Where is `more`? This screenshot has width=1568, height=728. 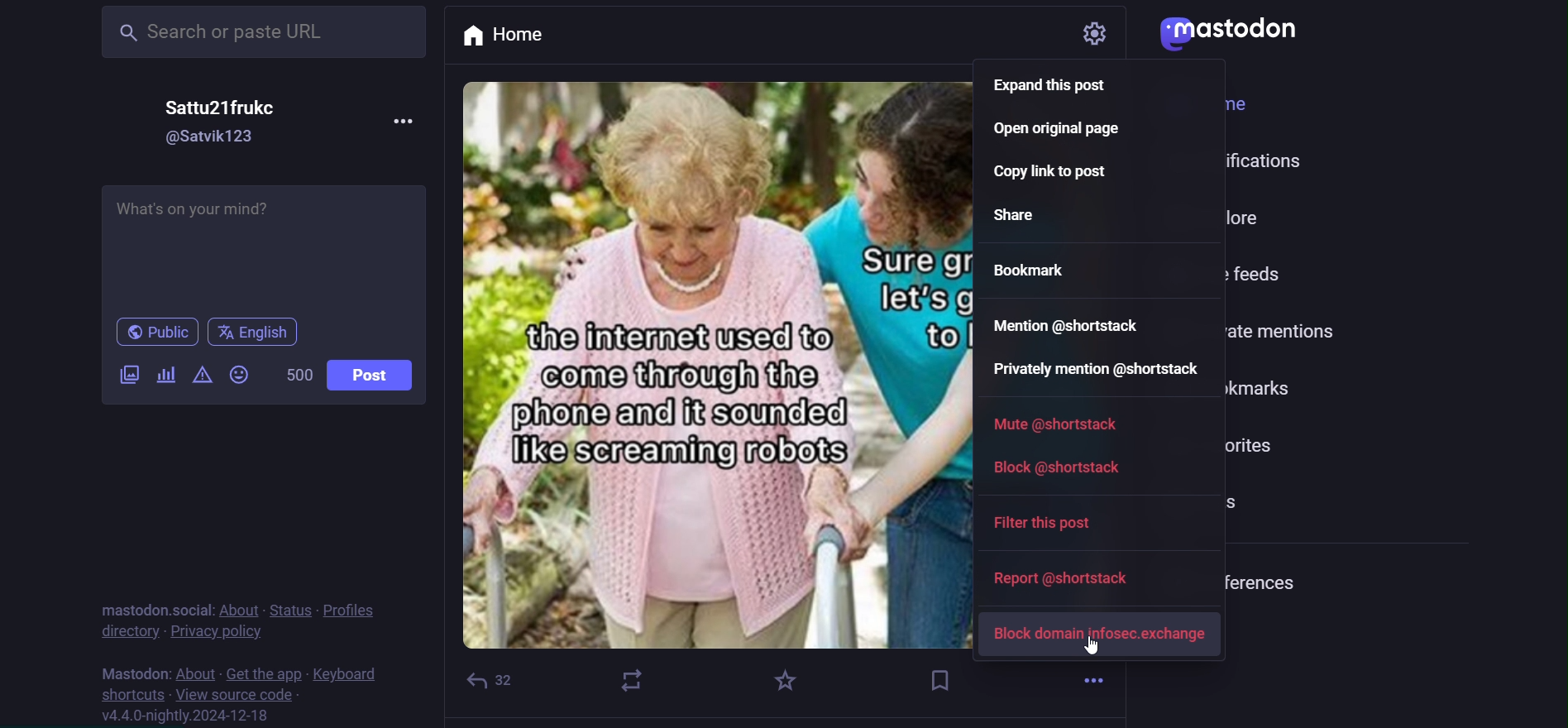
more is located at coordinates (1093, 678).